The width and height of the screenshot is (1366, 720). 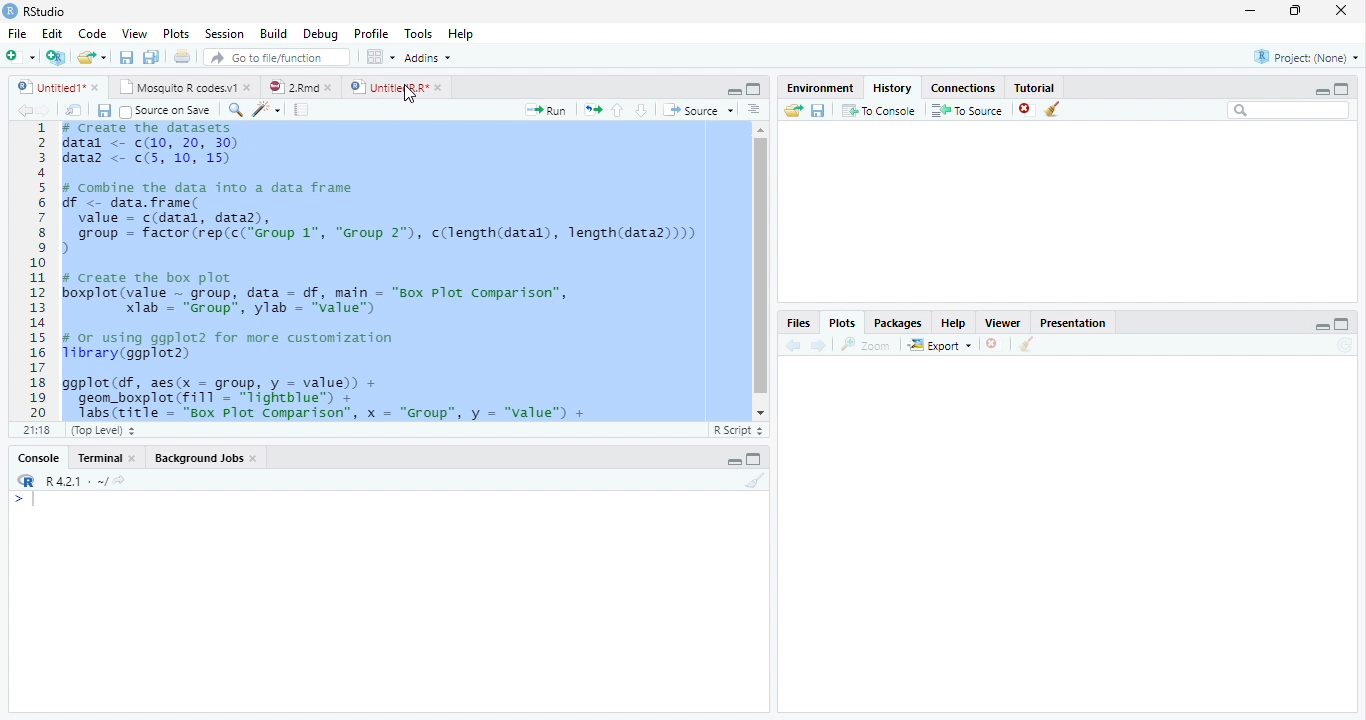 What do you see at coordinates (168, 111) in the screenshot?
I see `Source on Save` at bounding box center [168, 111].